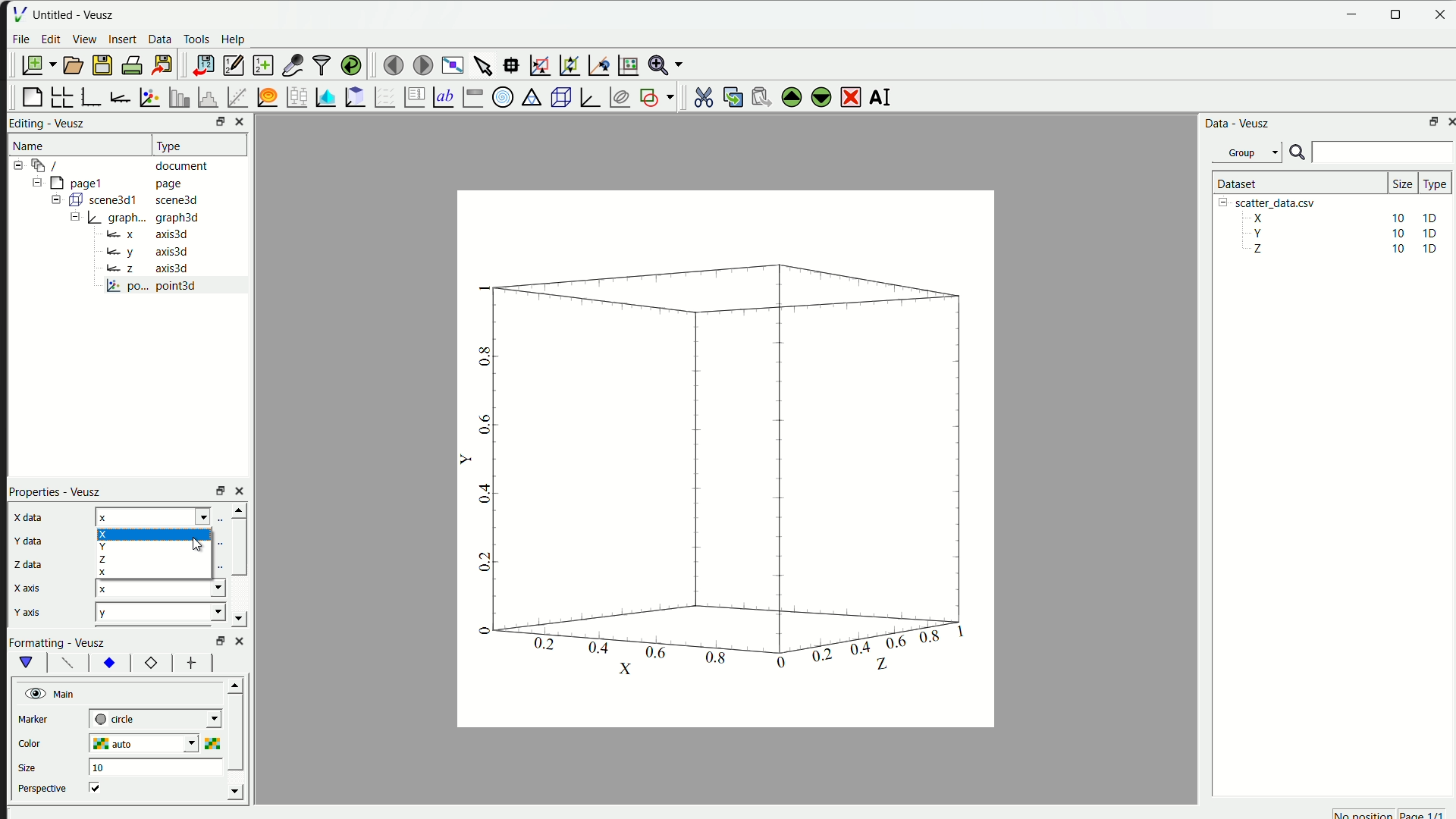 This screenshot has height=819, width=1456. I want to click on save a document, so click(100, 66).